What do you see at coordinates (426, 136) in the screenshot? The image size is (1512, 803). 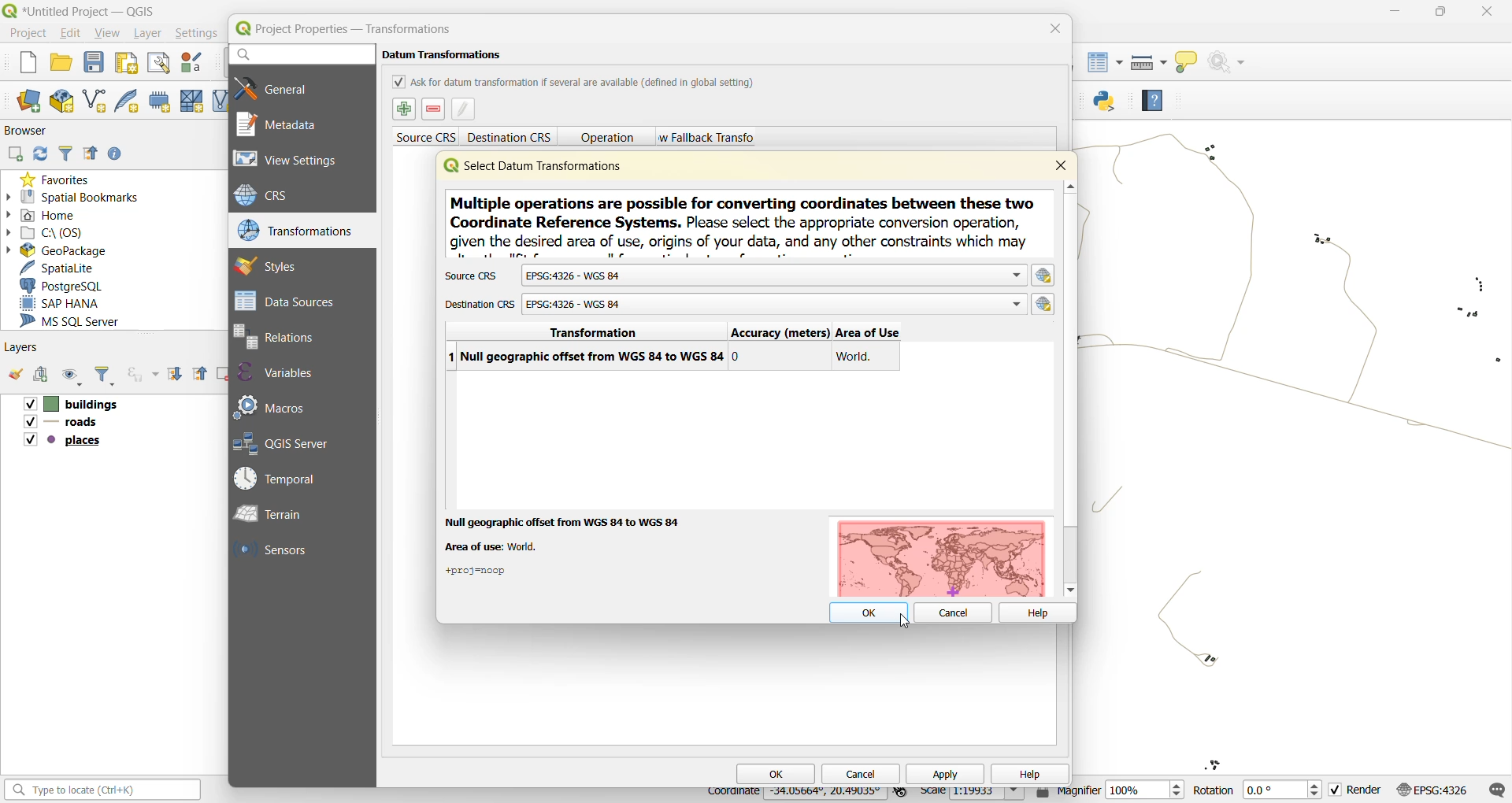 I see `source crs` at bounding box center [426, 136].